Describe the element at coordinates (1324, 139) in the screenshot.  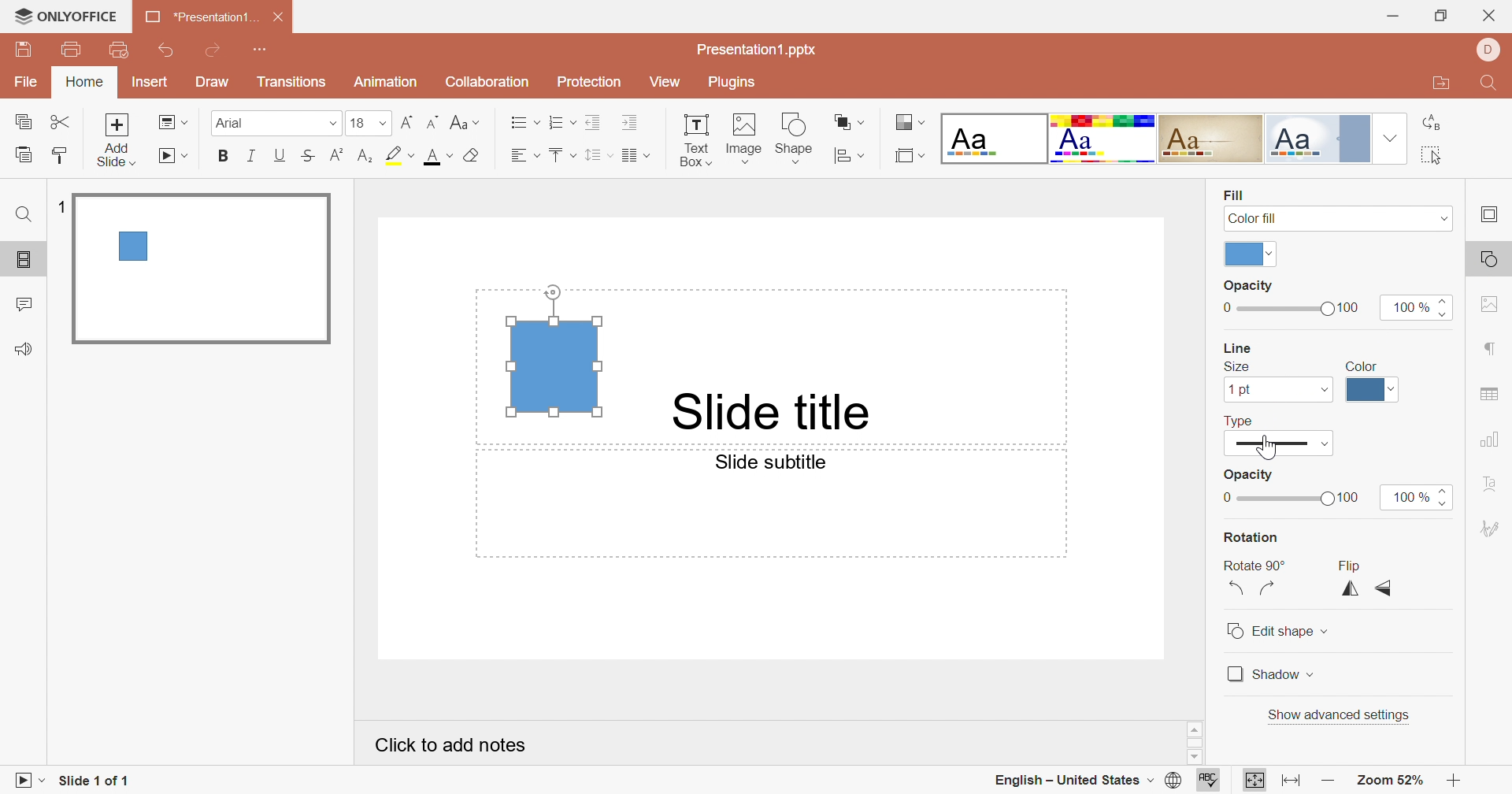
I see `Official` at that location.